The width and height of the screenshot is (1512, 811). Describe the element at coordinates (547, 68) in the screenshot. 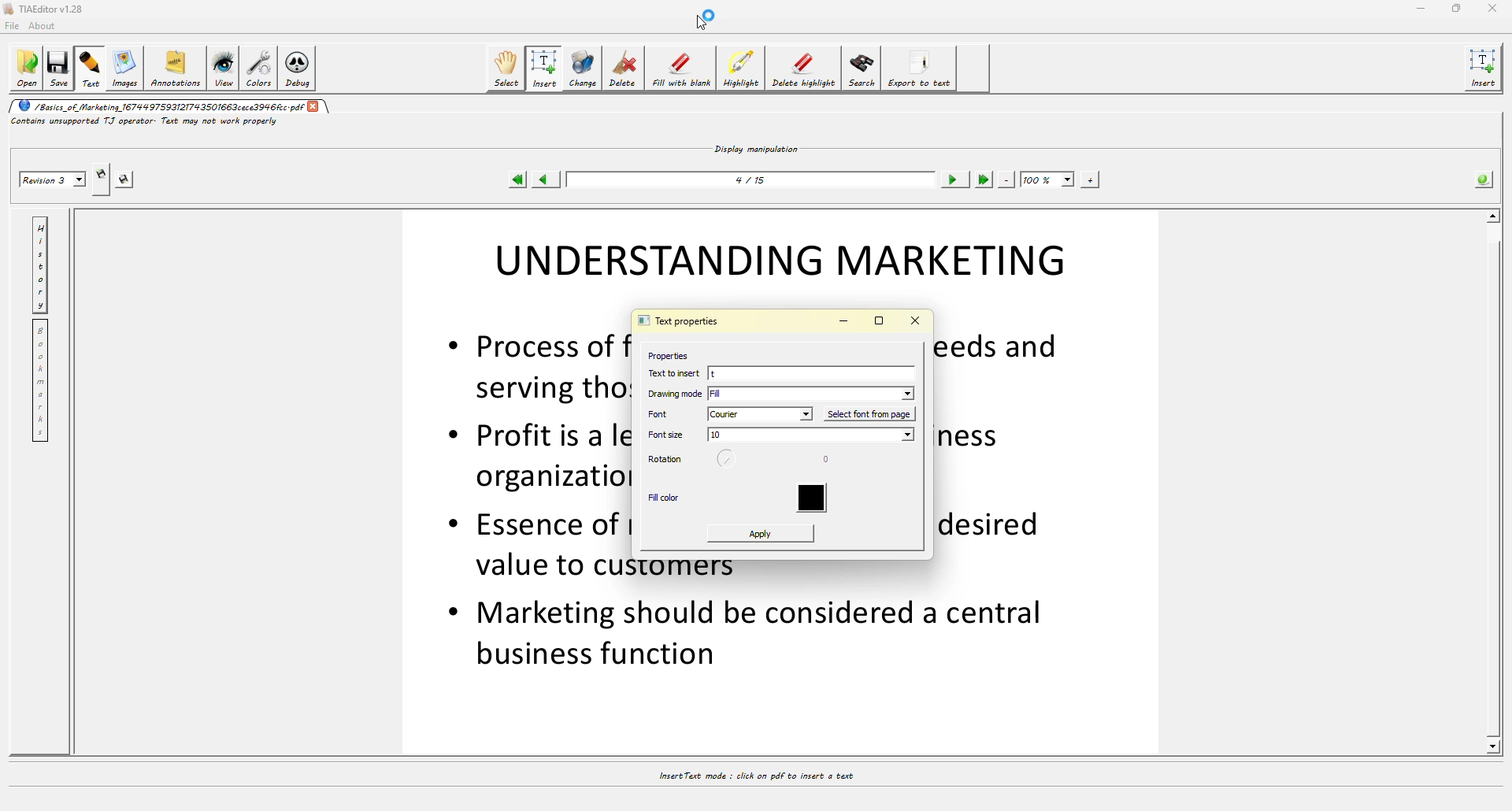

I see `insert` at that location.